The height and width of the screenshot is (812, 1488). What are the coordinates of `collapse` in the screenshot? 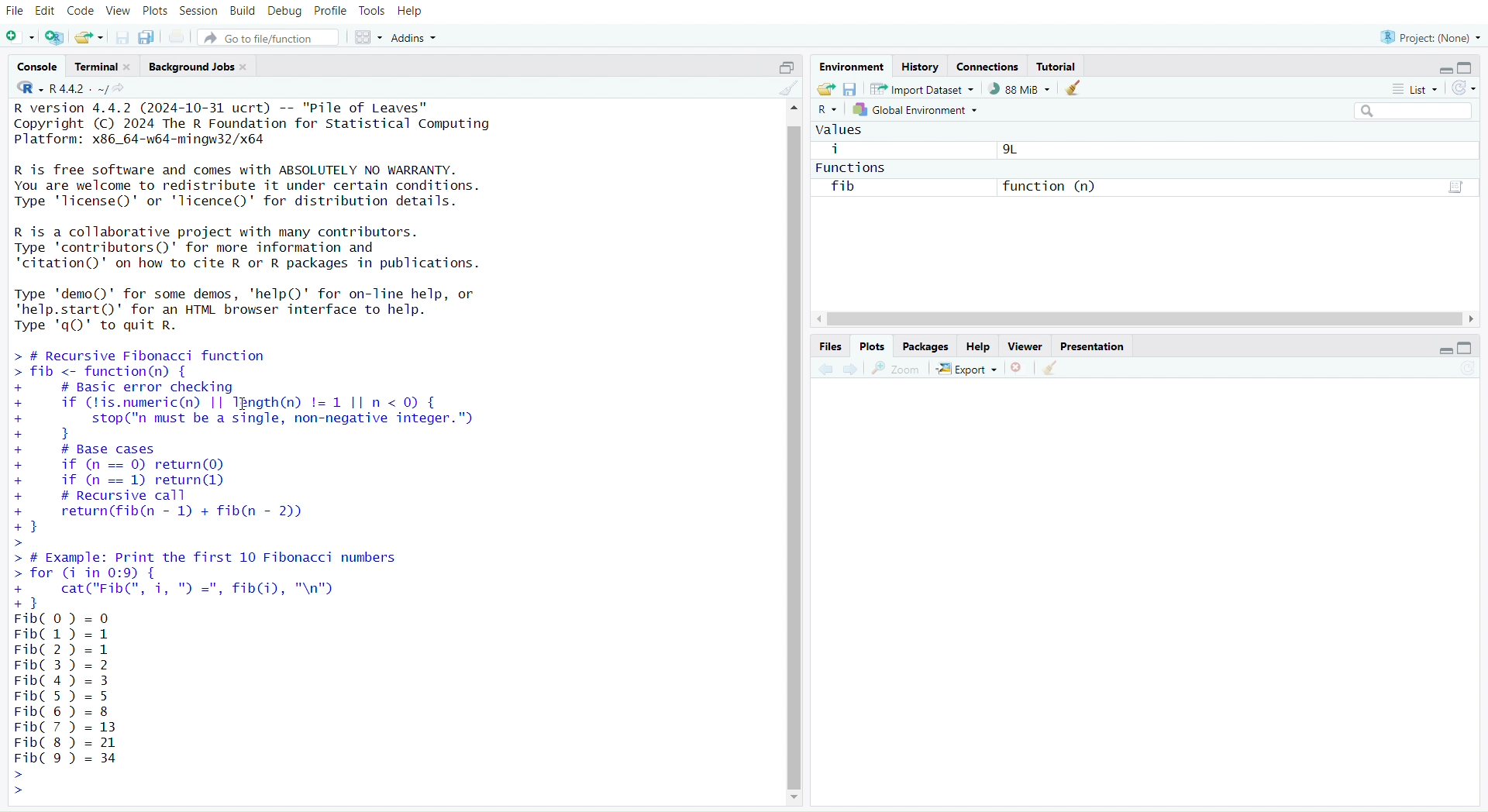 It's located at (1467, 347).